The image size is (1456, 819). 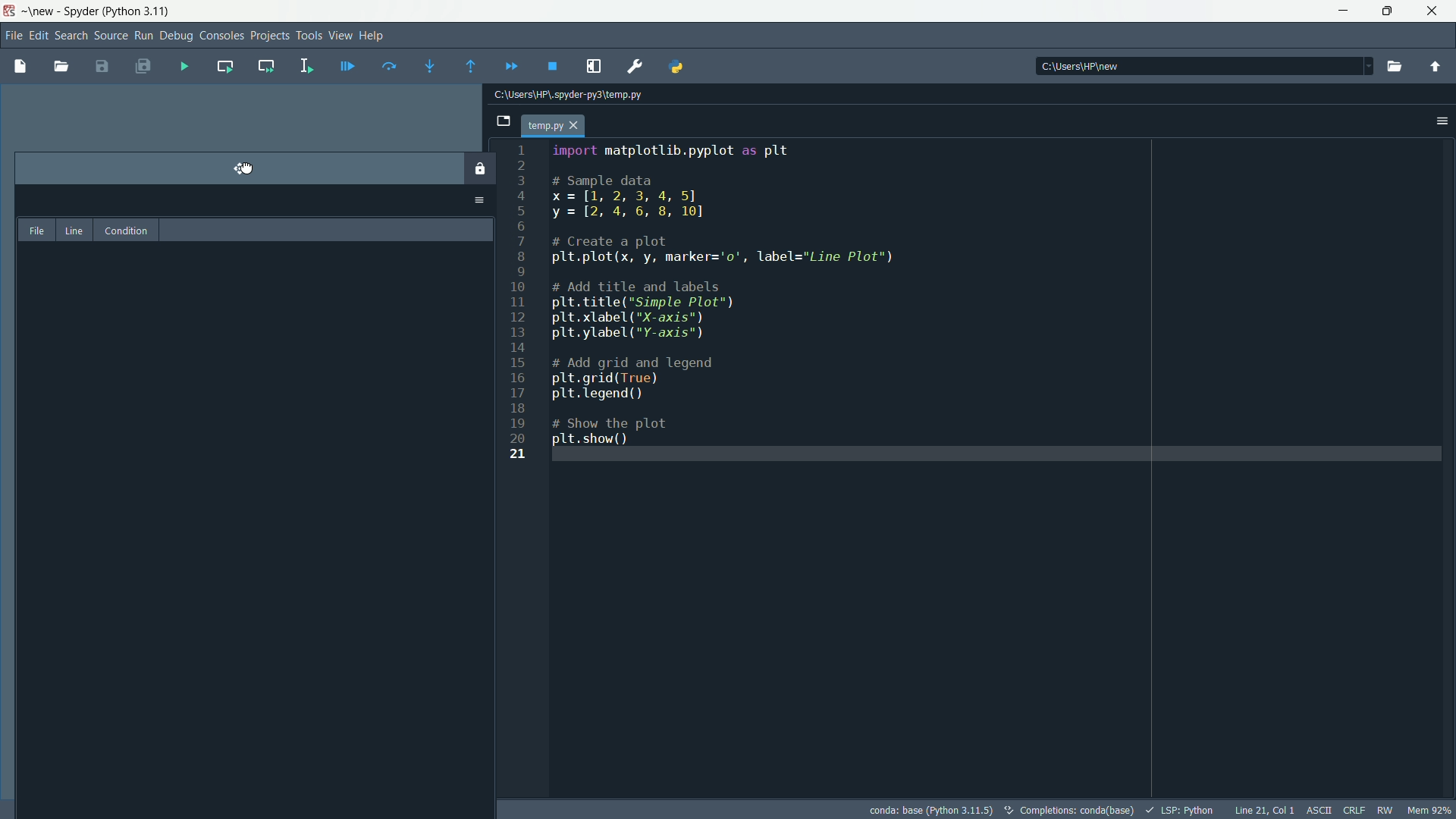 What do you see at coordinates (222, 66) in the screenshot?
I see `run current cell` at bounding box center [222, 66].